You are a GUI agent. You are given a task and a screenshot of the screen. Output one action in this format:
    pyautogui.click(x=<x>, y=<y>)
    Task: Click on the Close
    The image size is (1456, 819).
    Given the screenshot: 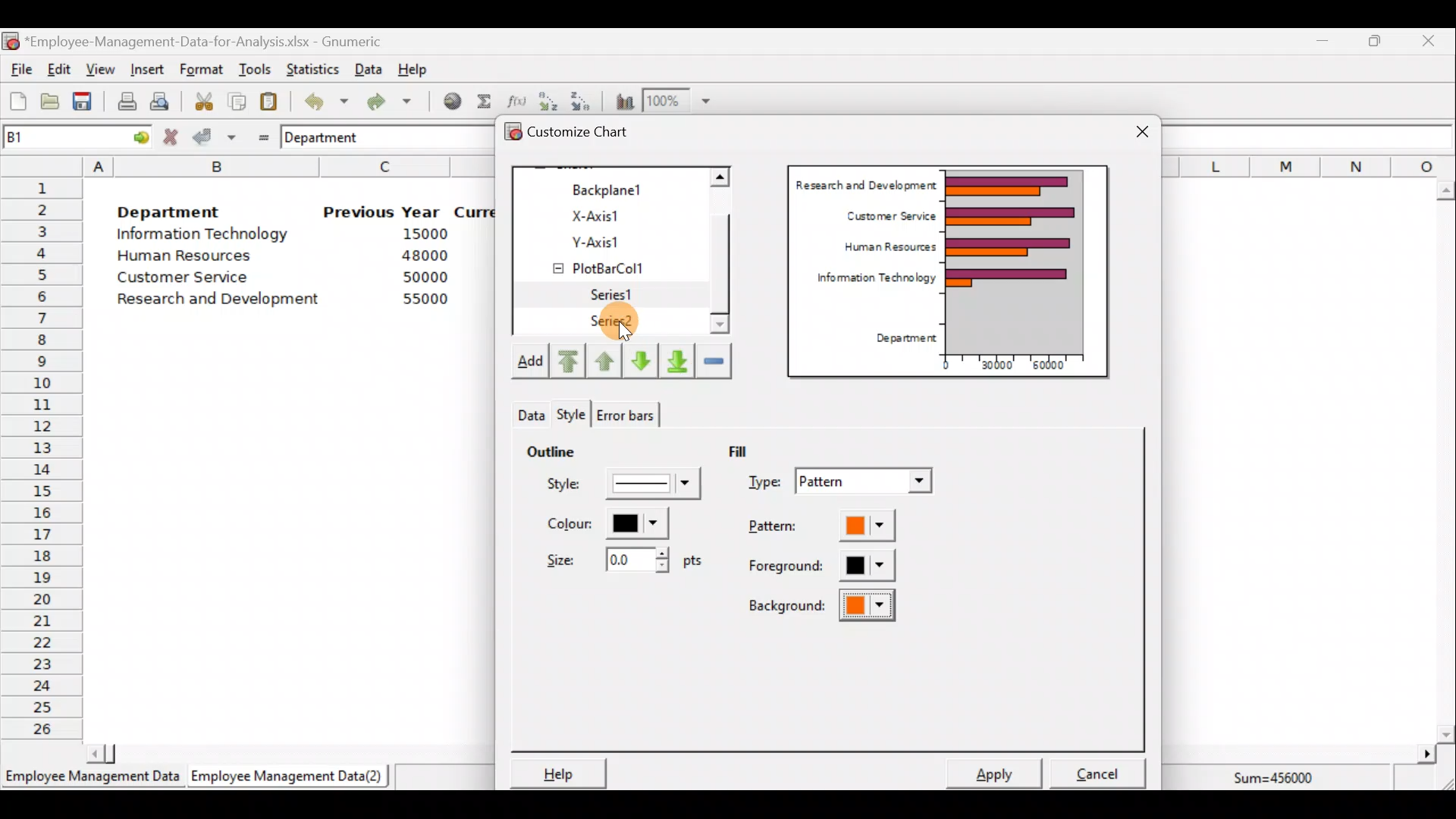 What is the action you would take?
    pyautogui.click(x=1142, y=133)
    